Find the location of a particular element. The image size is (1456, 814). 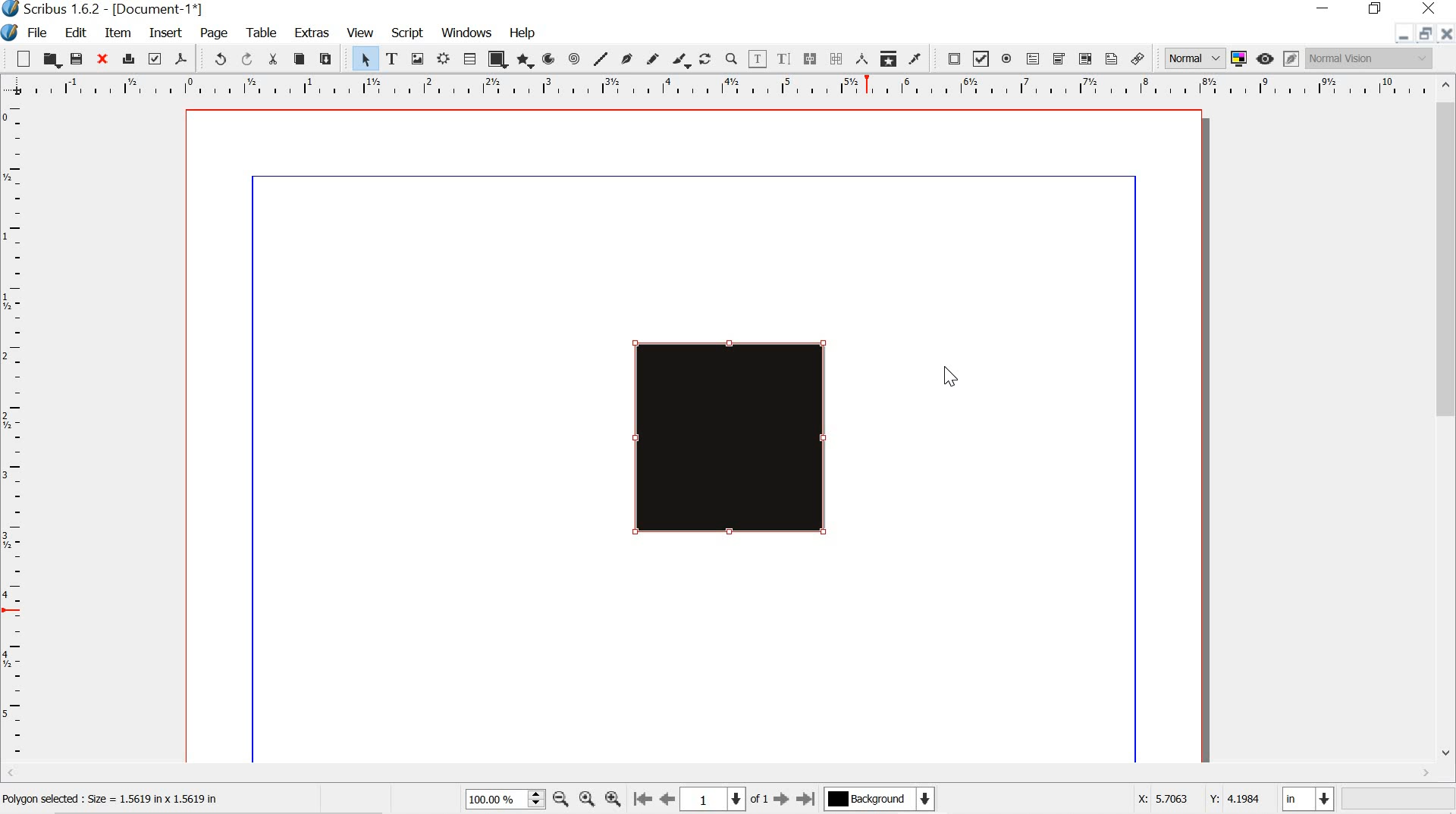

open is located at coordinates (52, 59).